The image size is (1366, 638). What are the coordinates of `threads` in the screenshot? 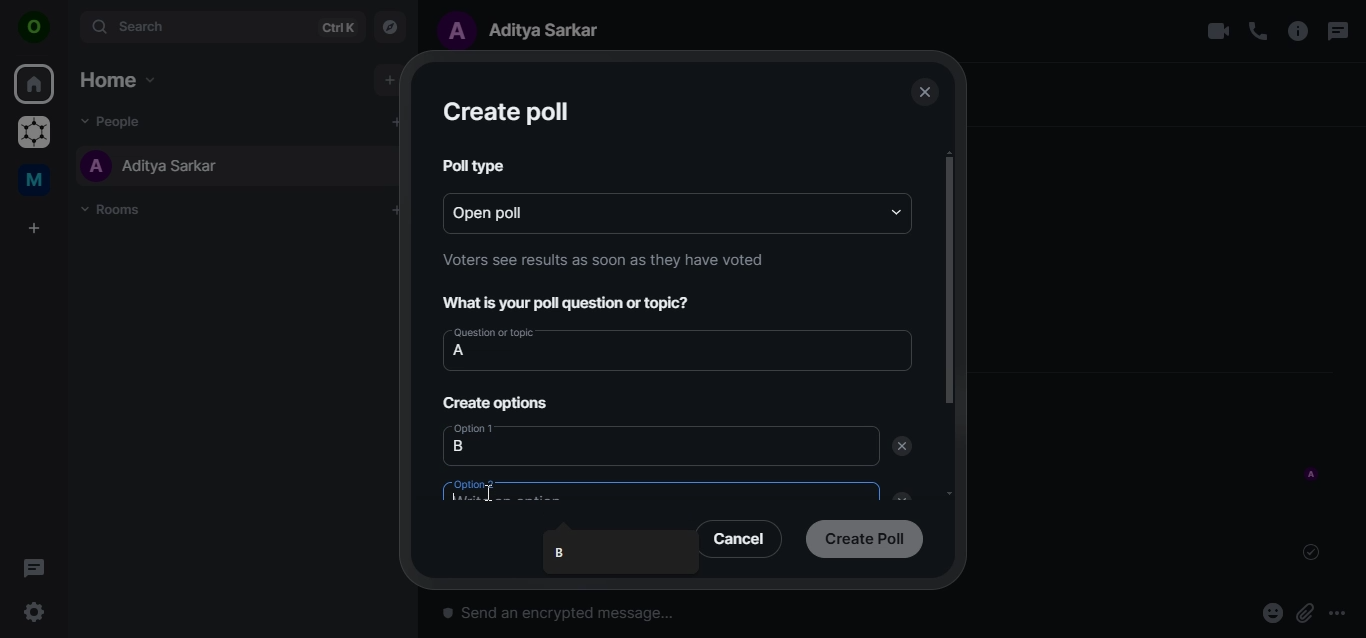 It's located at (1336, 31).